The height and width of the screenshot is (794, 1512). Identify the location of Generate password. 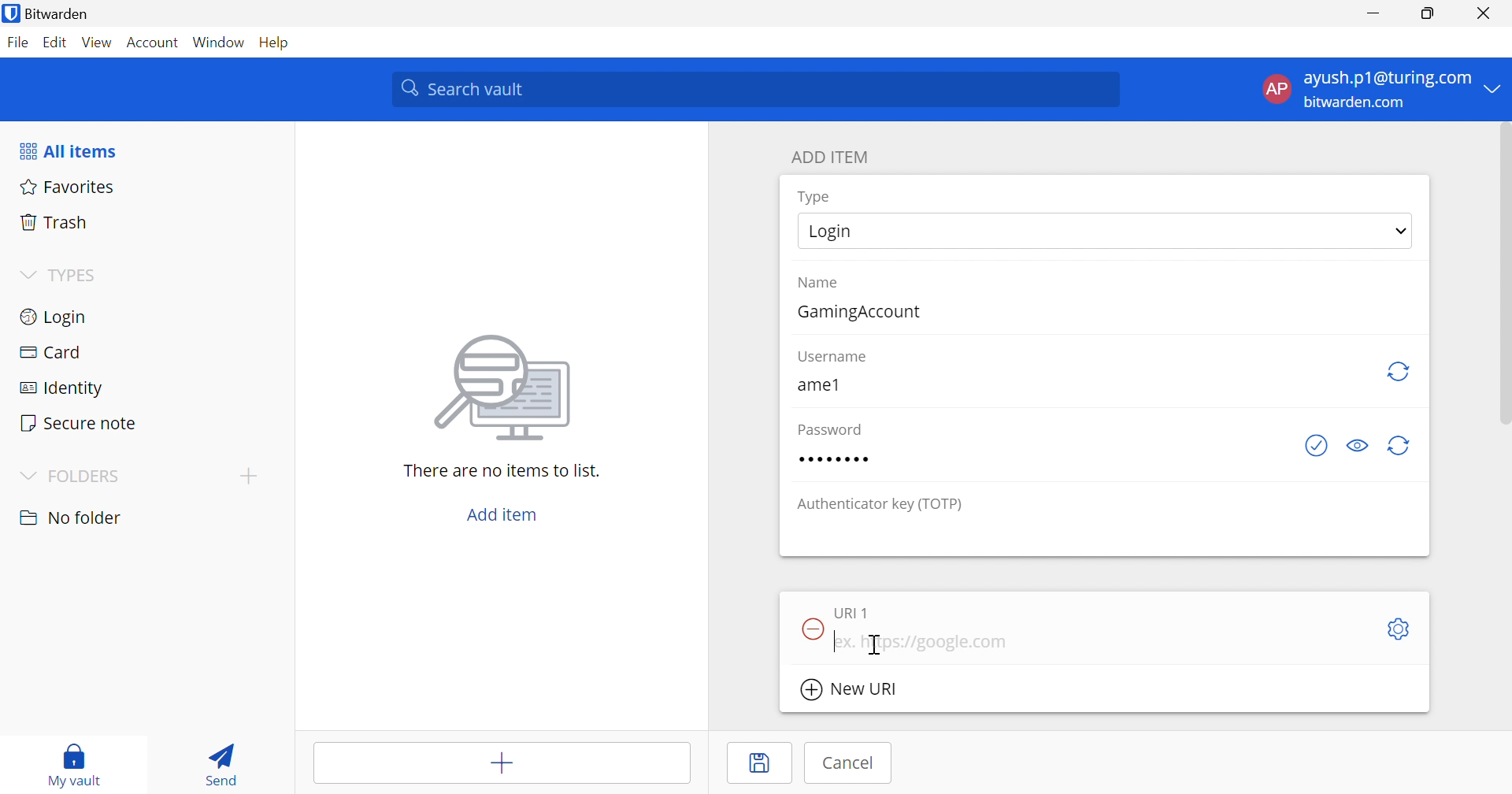
(1319, 447).